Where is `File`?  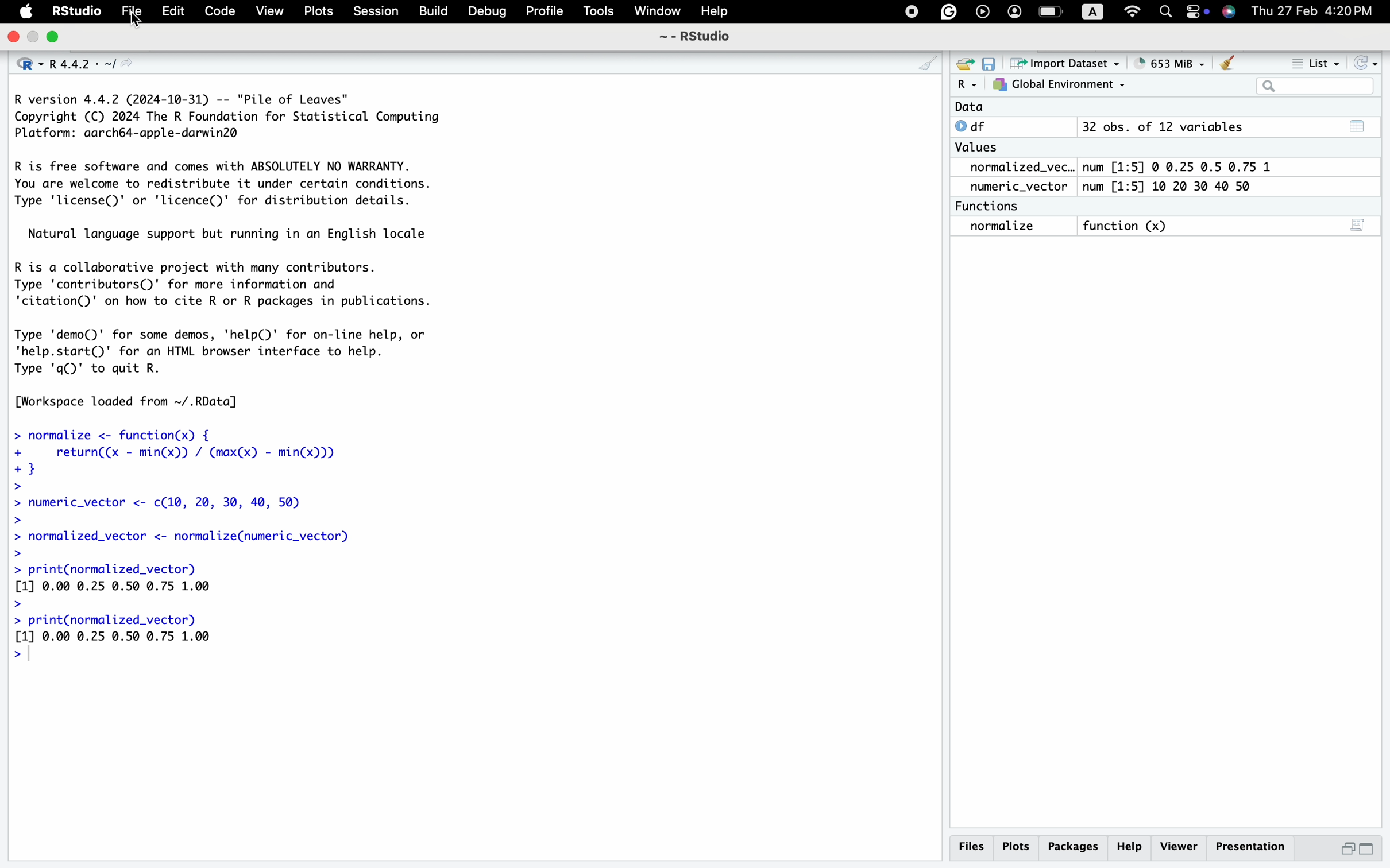 File is located at coordinates (133, 13).